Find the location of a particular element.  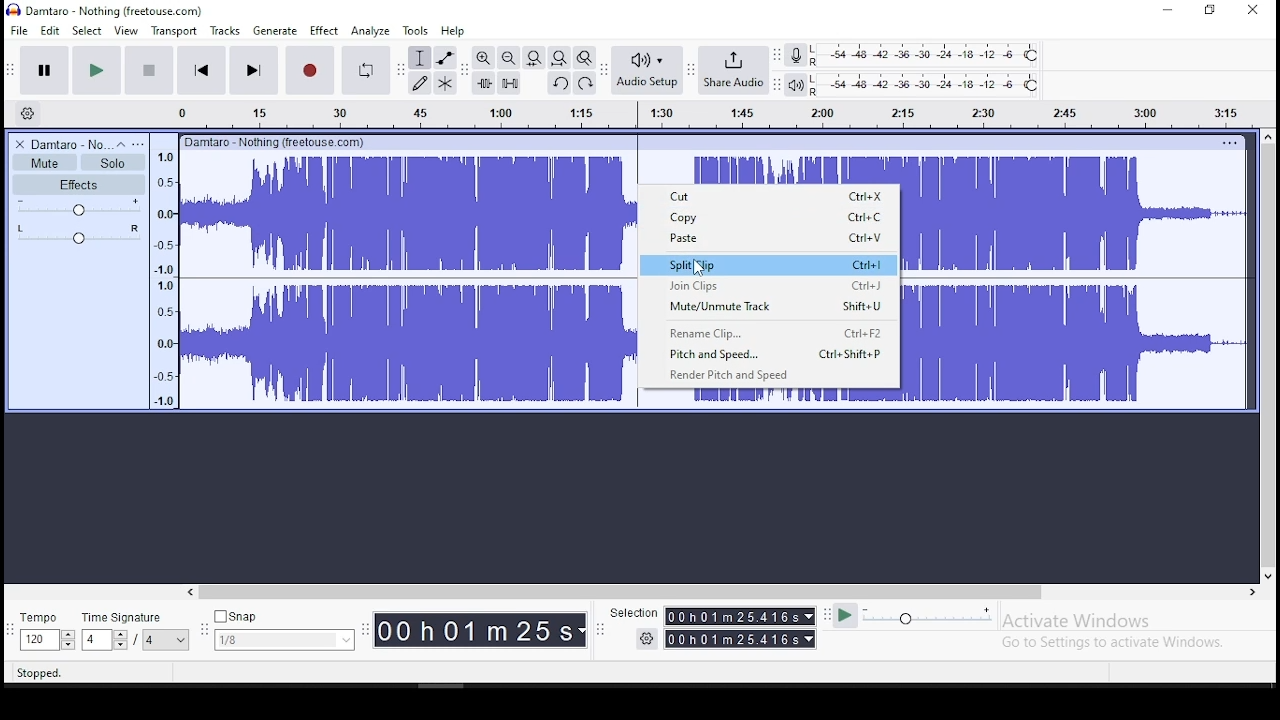

skip to end is located at coordinates (255, 70).